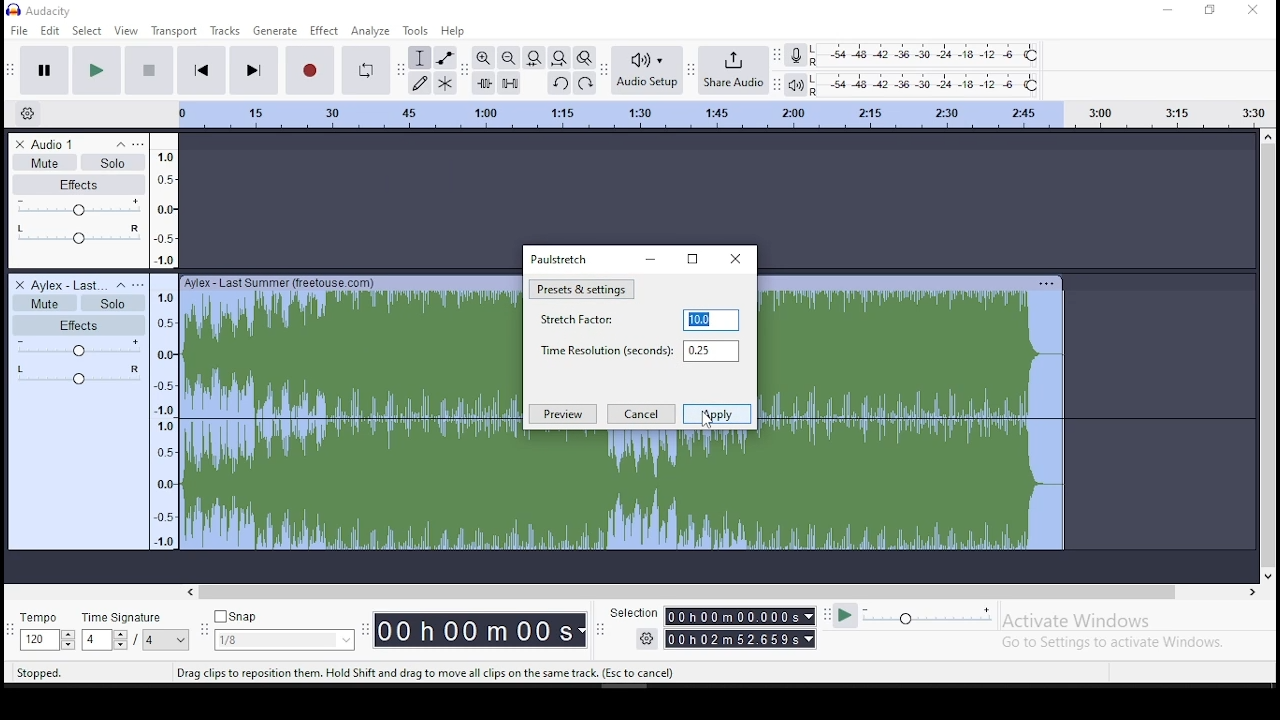  Describe the element at coordinates (253, 71) in the screenshot. I see `skip to end` at that location.